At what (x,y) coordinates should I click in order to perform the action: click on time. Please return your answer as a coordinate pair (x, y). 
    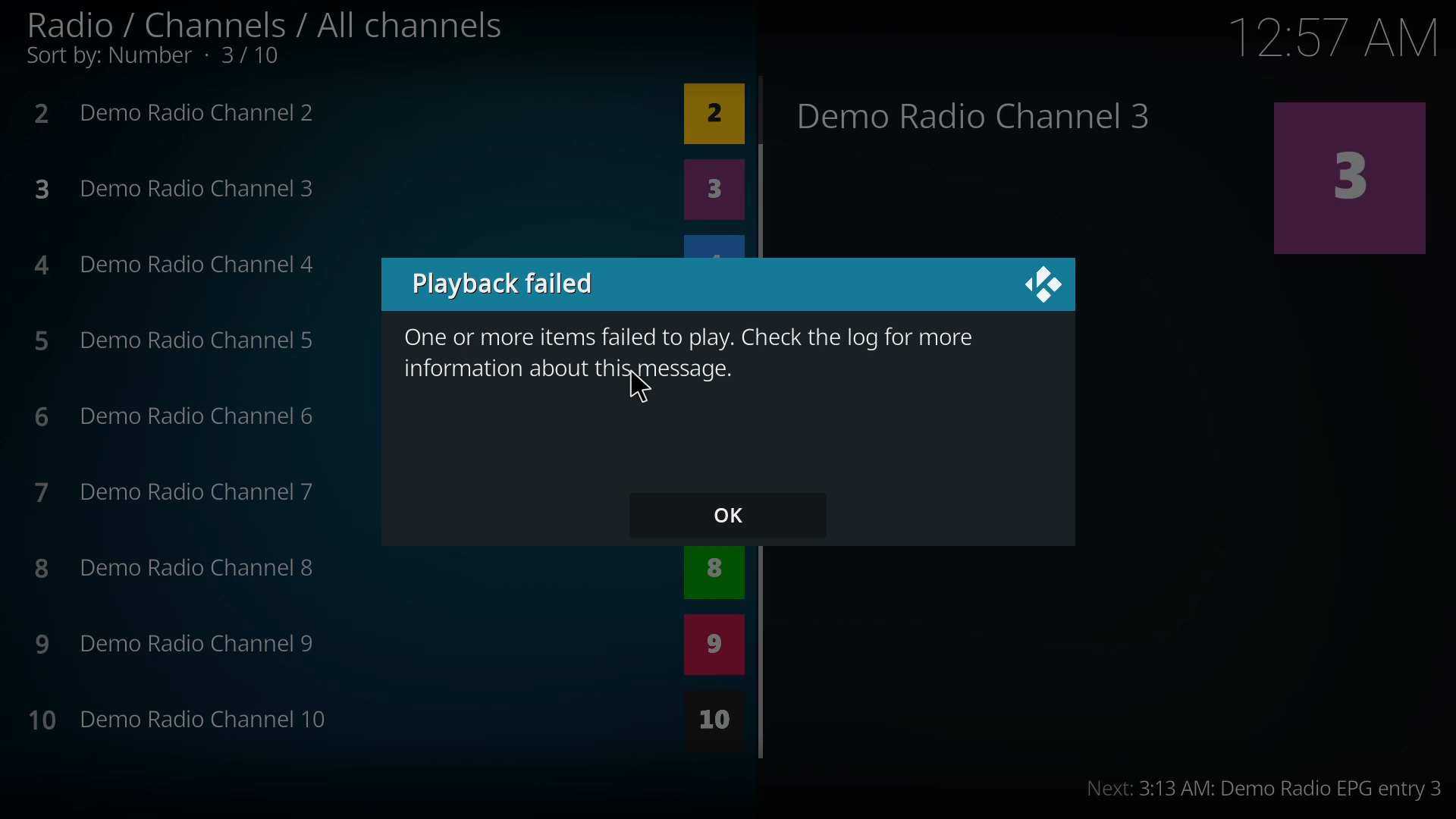
    Looking at the image, I should click on (1331, 38).